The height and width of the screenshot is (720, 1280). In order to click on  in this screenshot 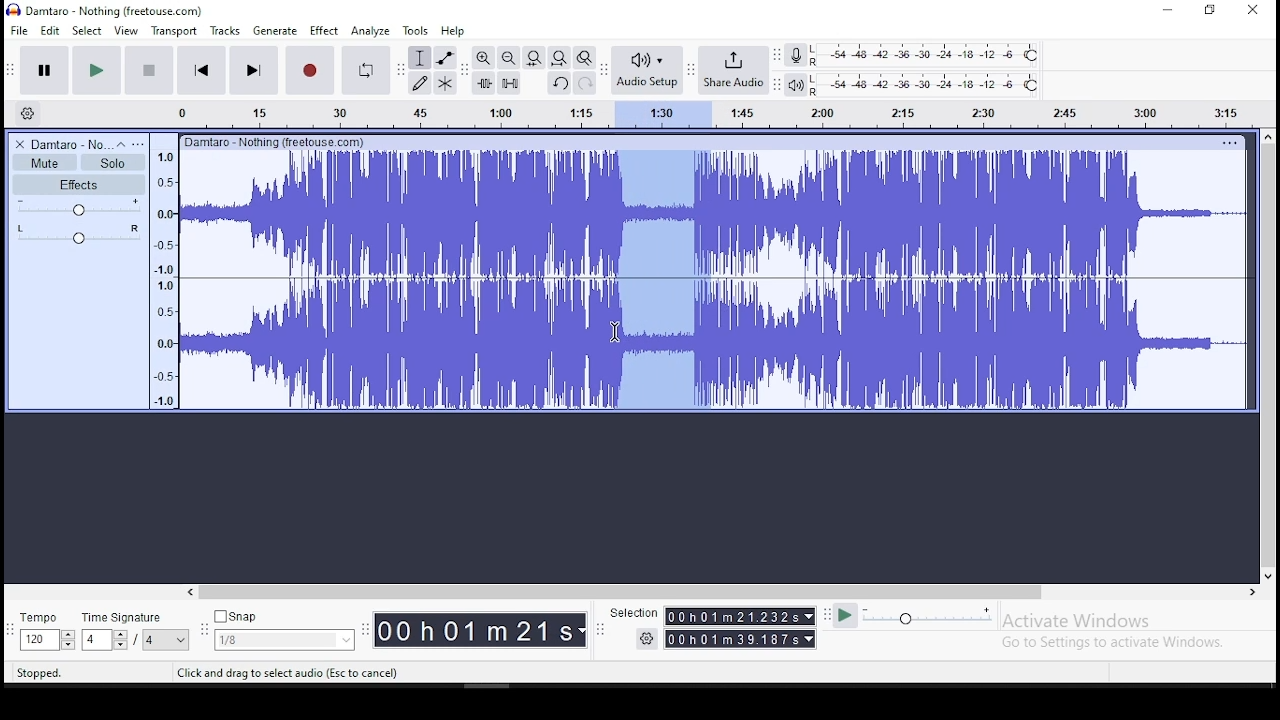, I will do `click(165, 279)`.